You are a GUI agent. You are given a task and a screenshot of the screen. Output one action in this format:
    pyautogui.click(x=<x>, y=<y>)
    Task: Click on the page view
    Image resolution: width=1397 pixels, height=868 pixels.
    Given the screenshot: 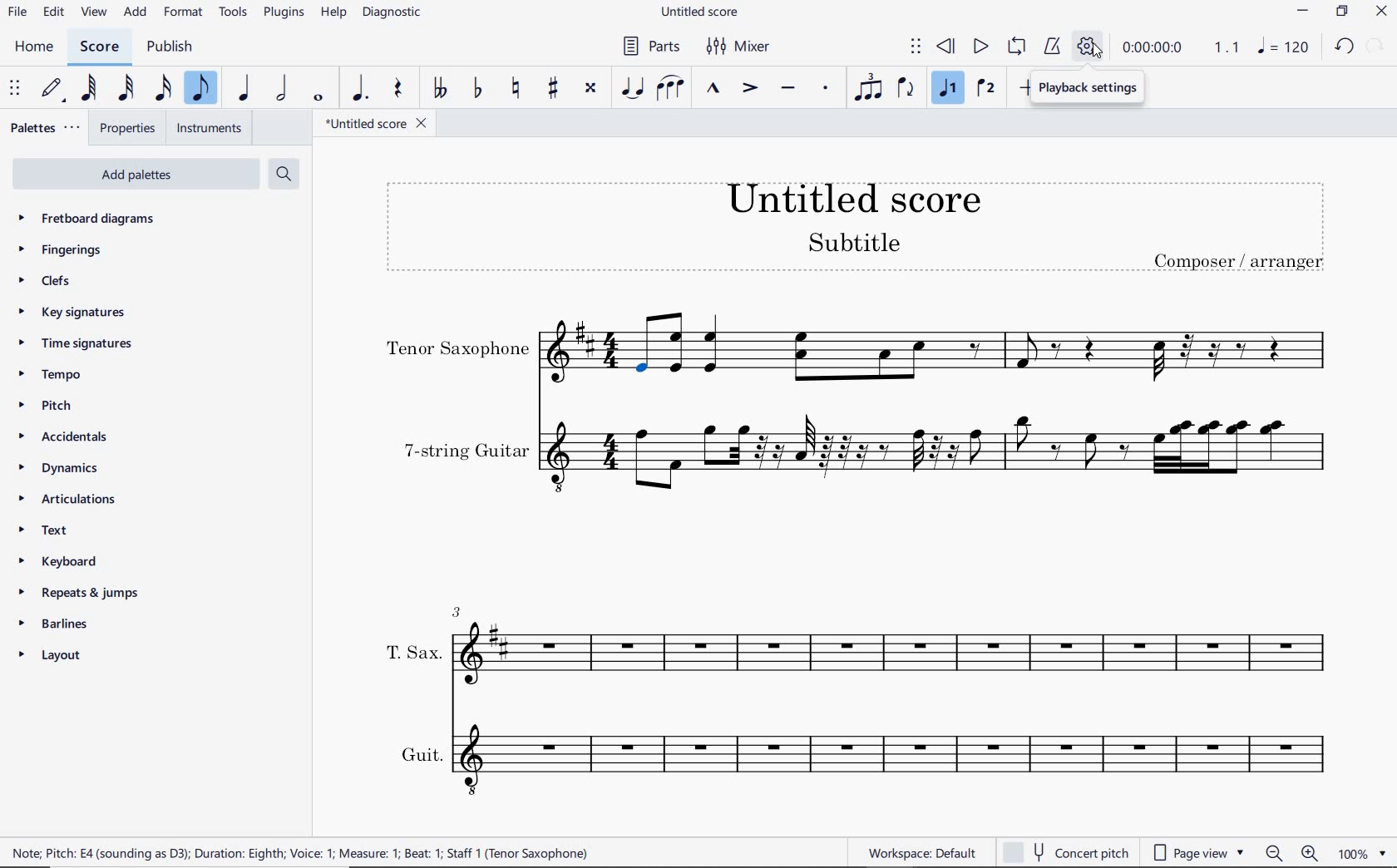 What is the action you would take?
    pyautogui.click(x=1198, y=854)
    